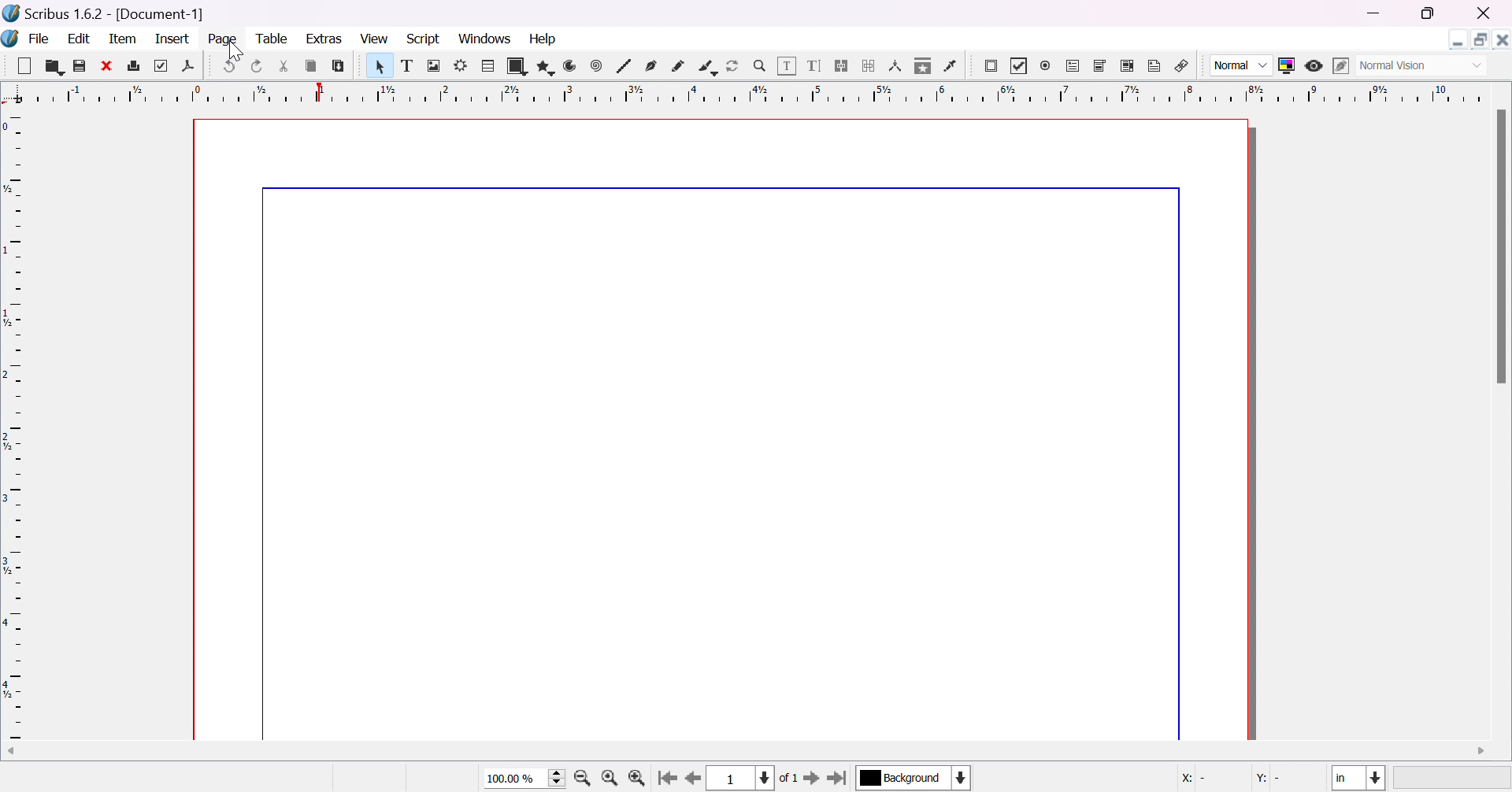  I want to click on paste, so click(338, 65).